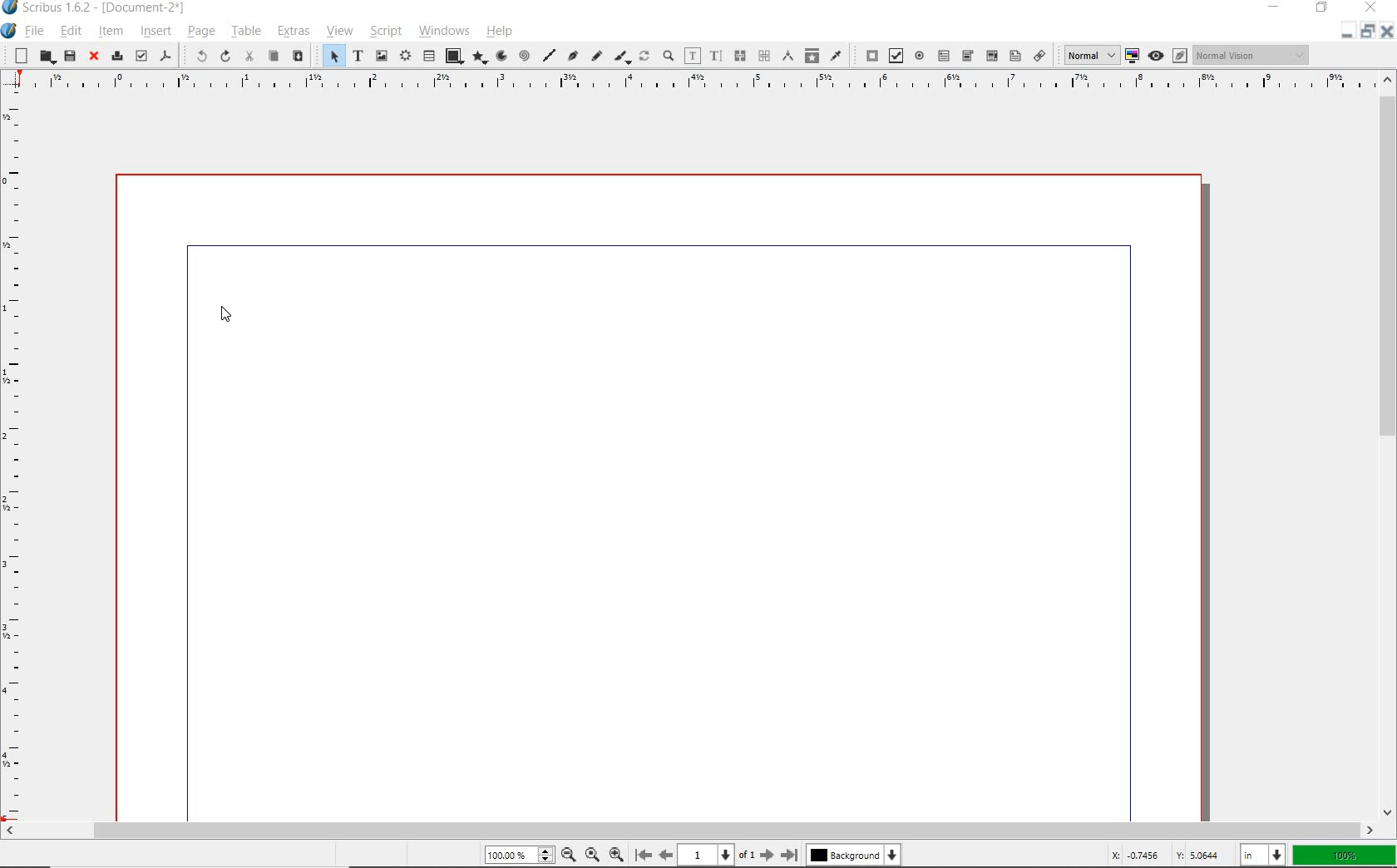 The height and width of the screenshot is (868, 1397). I want to click on image frame, so click(381, 56).